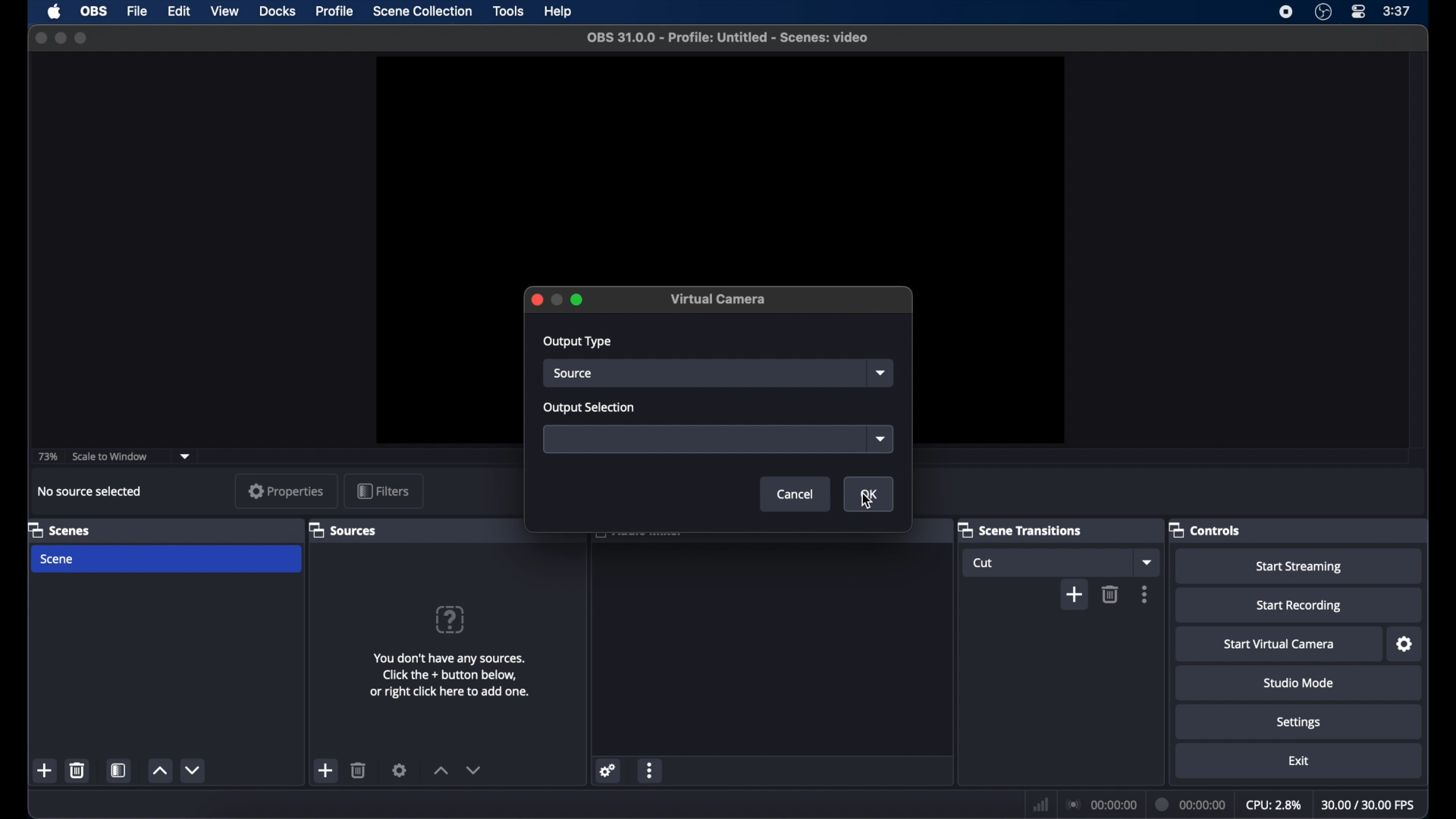 This screenshot has height=819, width=1456. I want to click on minimize, so click(60, 39).